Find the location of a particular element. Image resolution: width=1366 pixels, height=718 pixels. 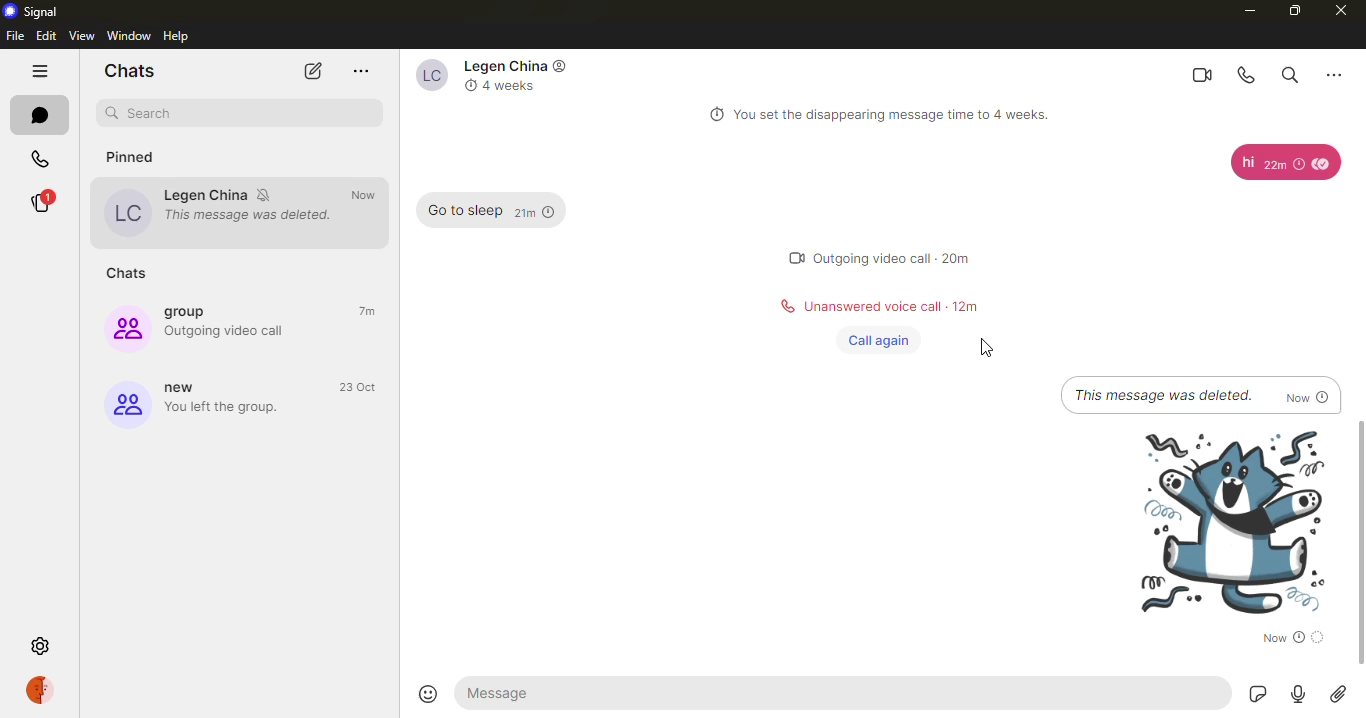

new is located at coordinates (126, 405).